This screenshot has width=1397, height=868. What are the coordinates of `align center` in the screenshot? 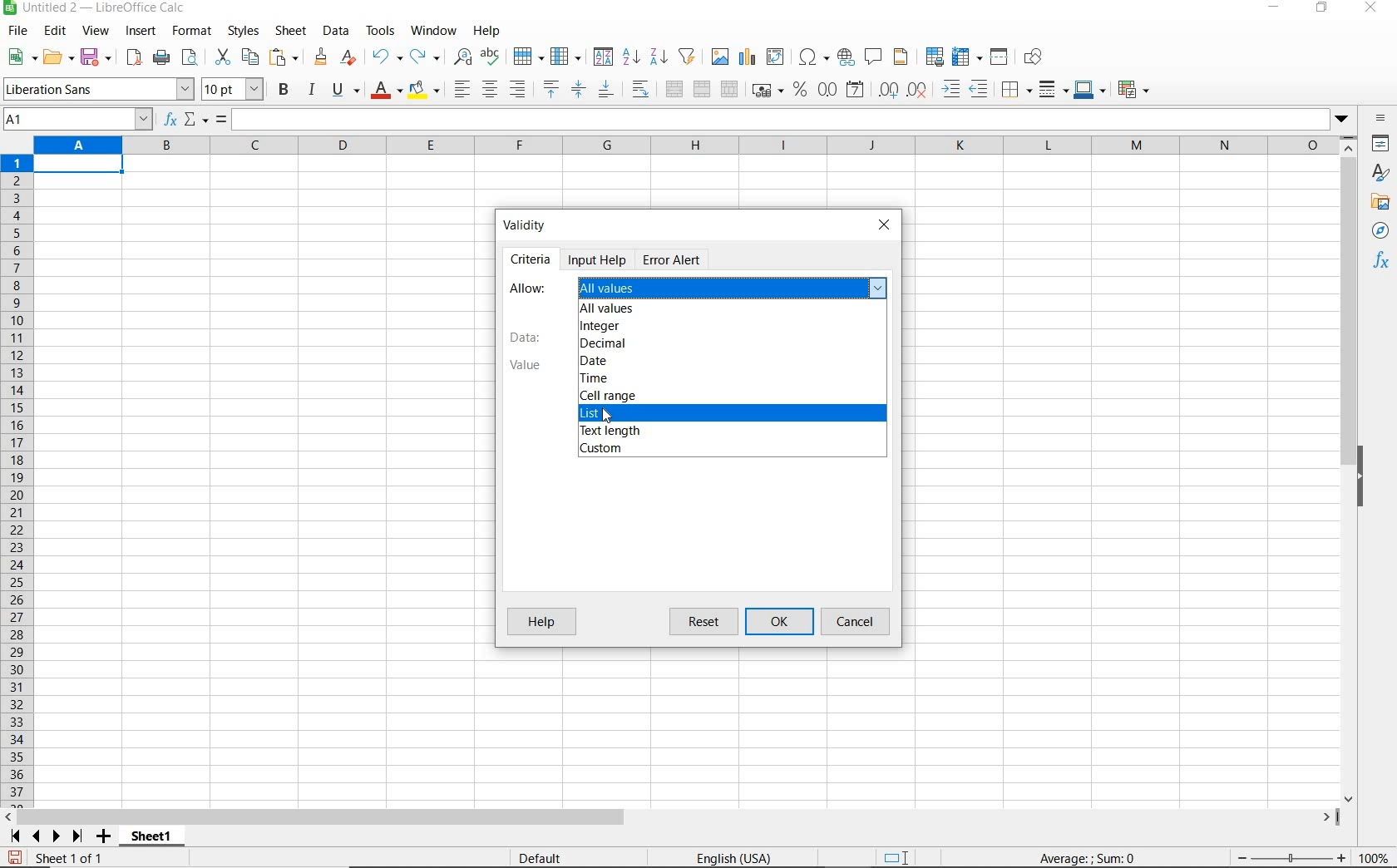 It's located at (490, 90).